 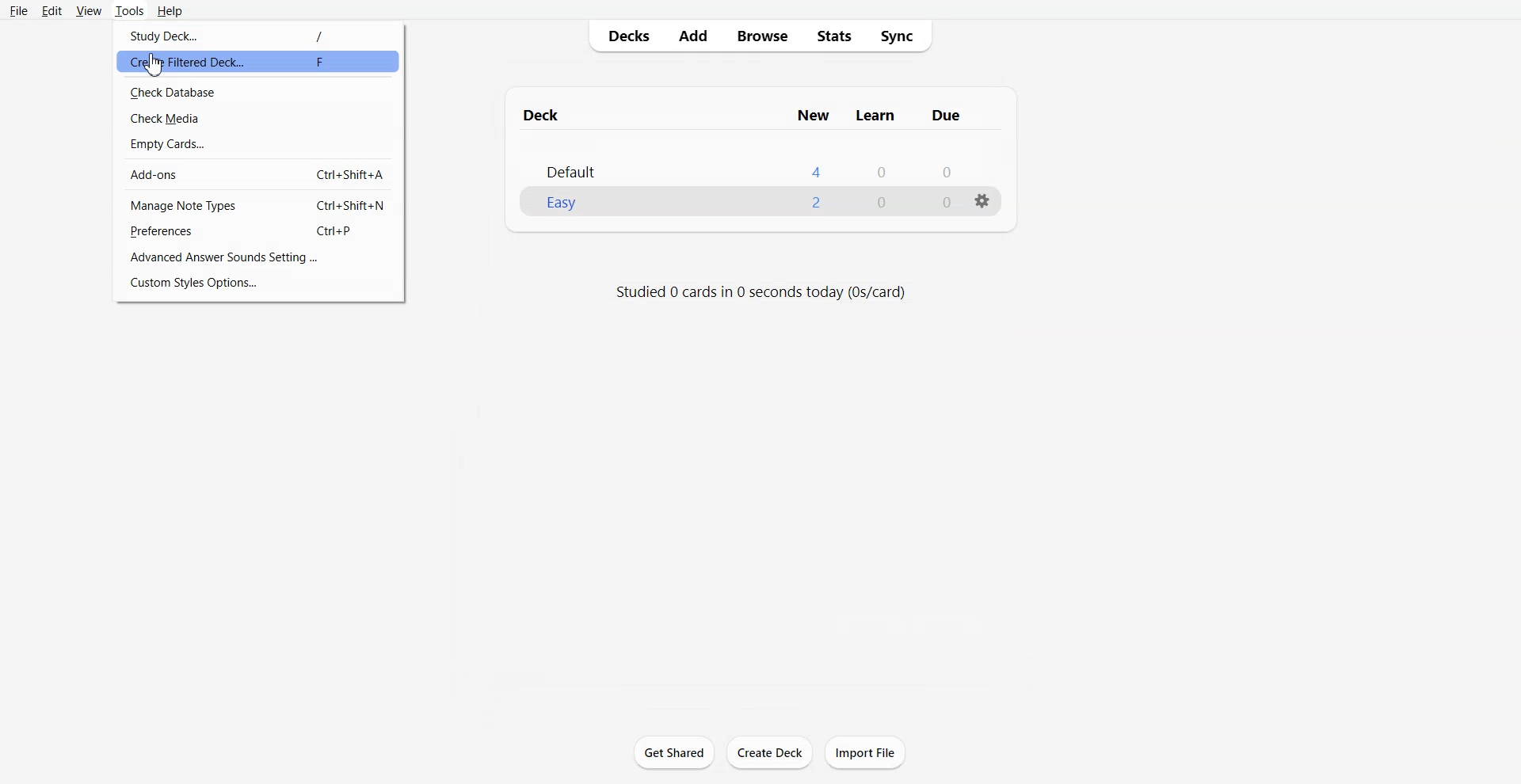 I want to click on Study Deck, so click(x=257, y=34).